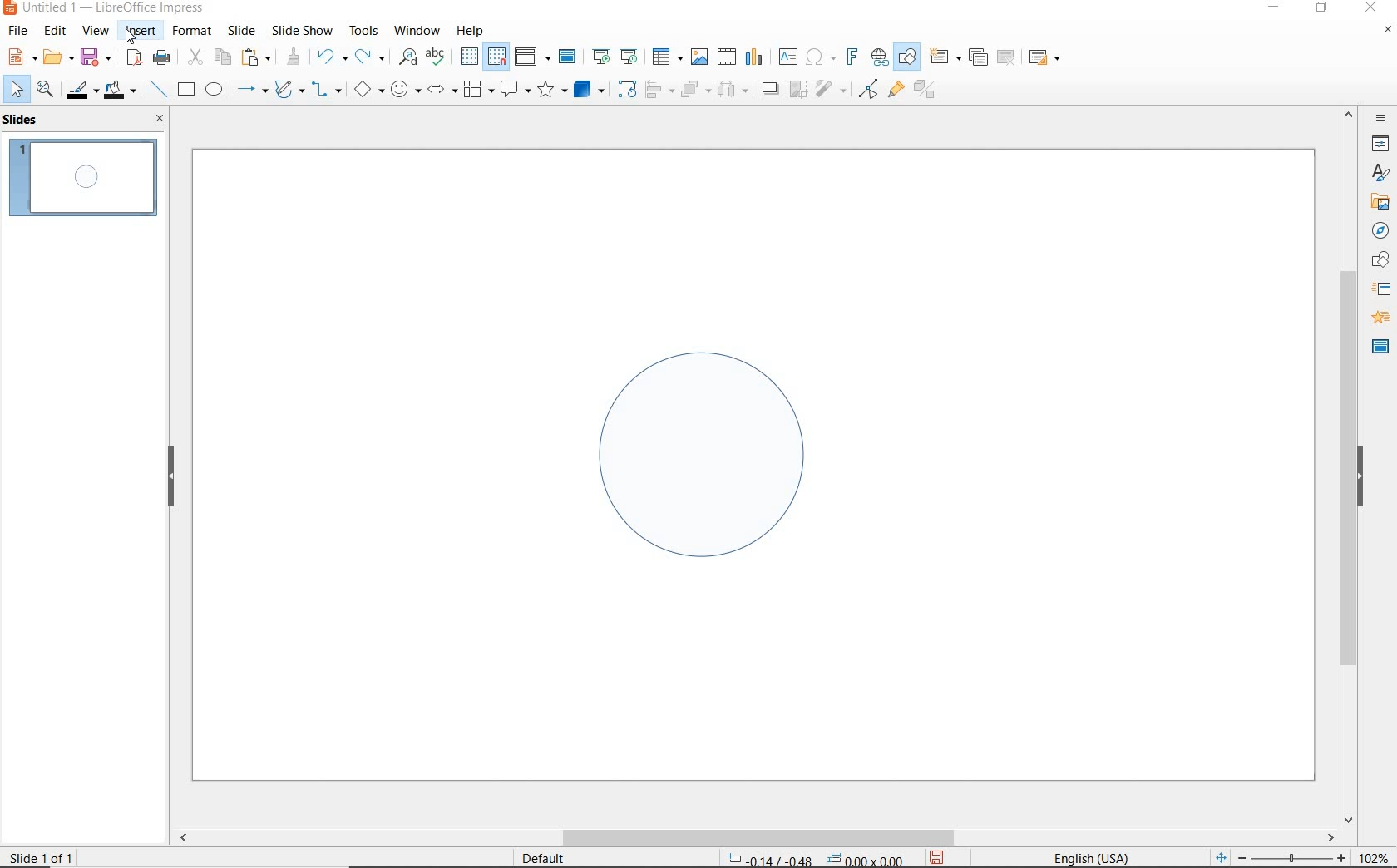  Describe the element at coordinates (1045, 58) in the screenshot. I see `slide layout` at that location.